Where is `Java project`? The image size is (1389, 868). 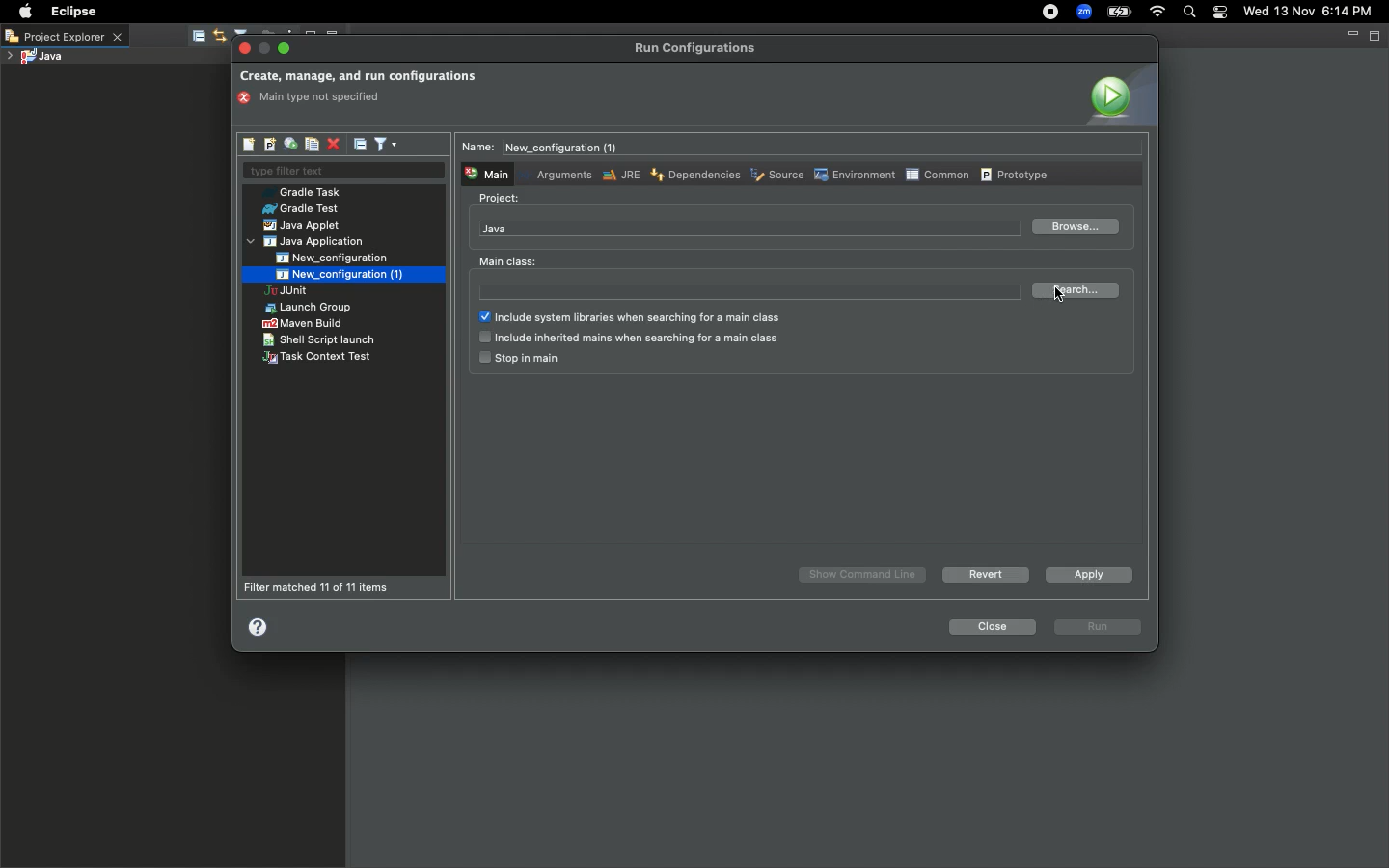
Java project is located at coordinates (34, 58).